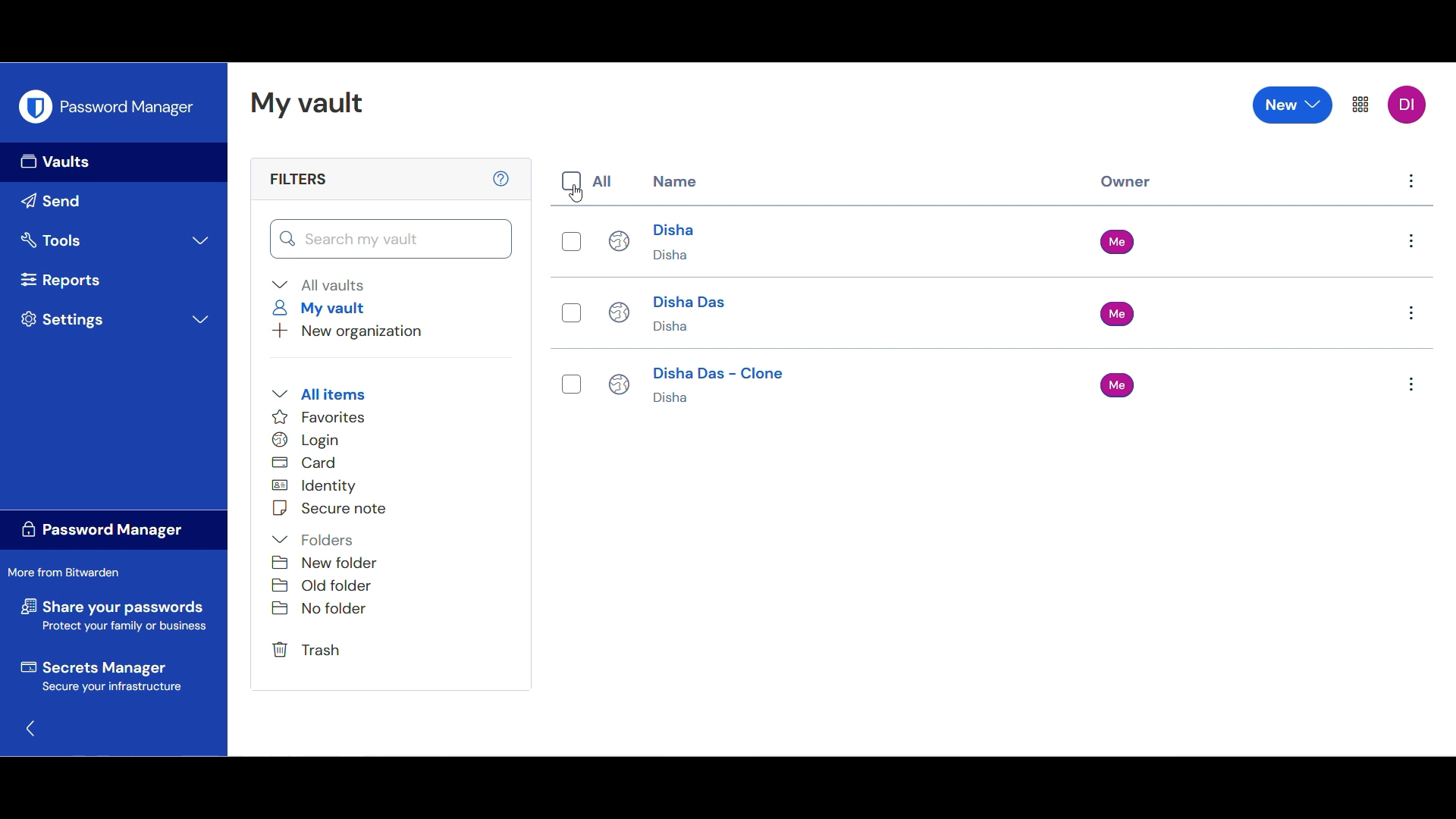 This screenshot has height=819, width=1456. Describe the element at coordinates (1121, 241) in the screenshot. I see `Me` at that location.